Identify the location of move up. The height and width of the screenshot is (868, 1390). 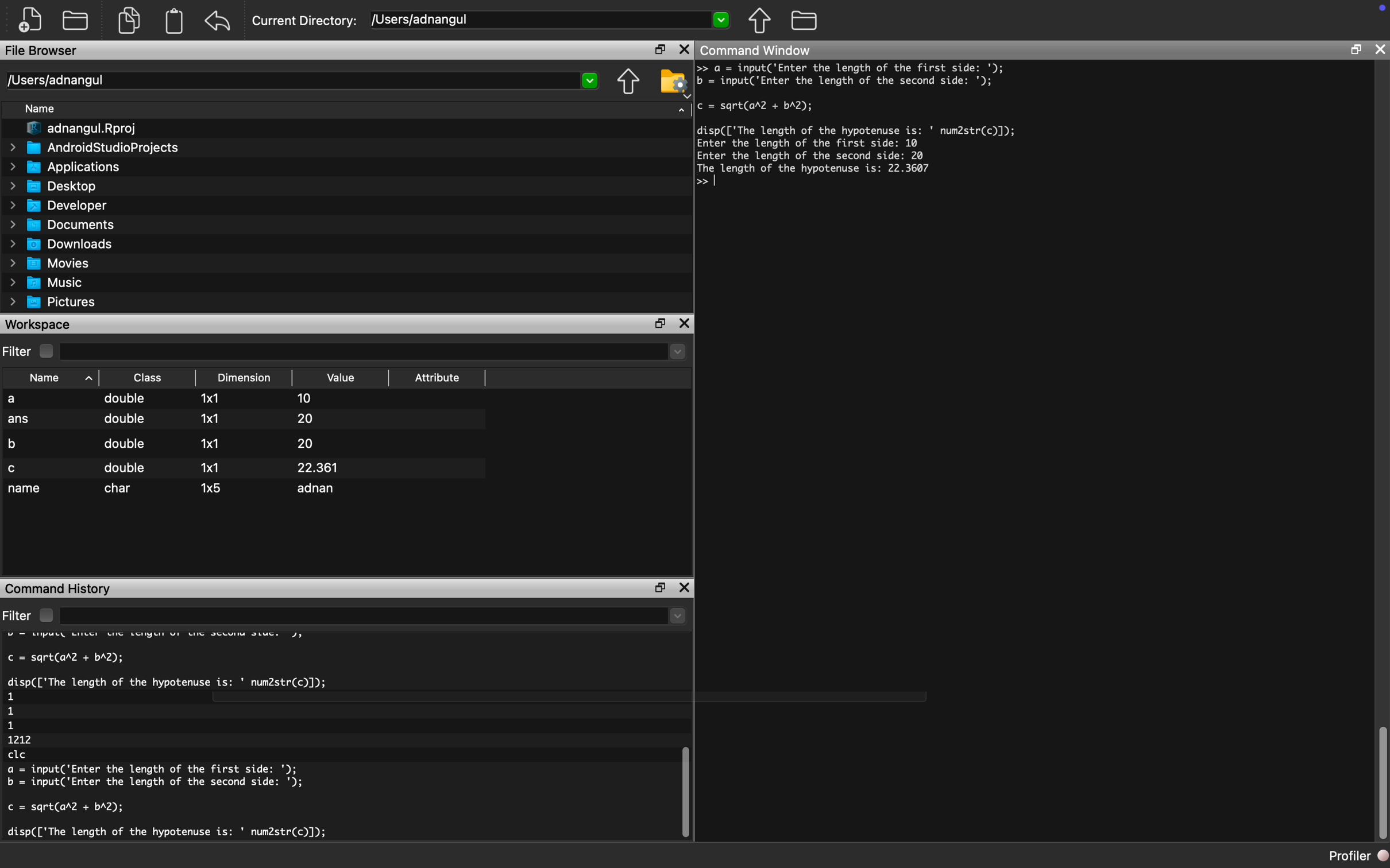
(628, 83).